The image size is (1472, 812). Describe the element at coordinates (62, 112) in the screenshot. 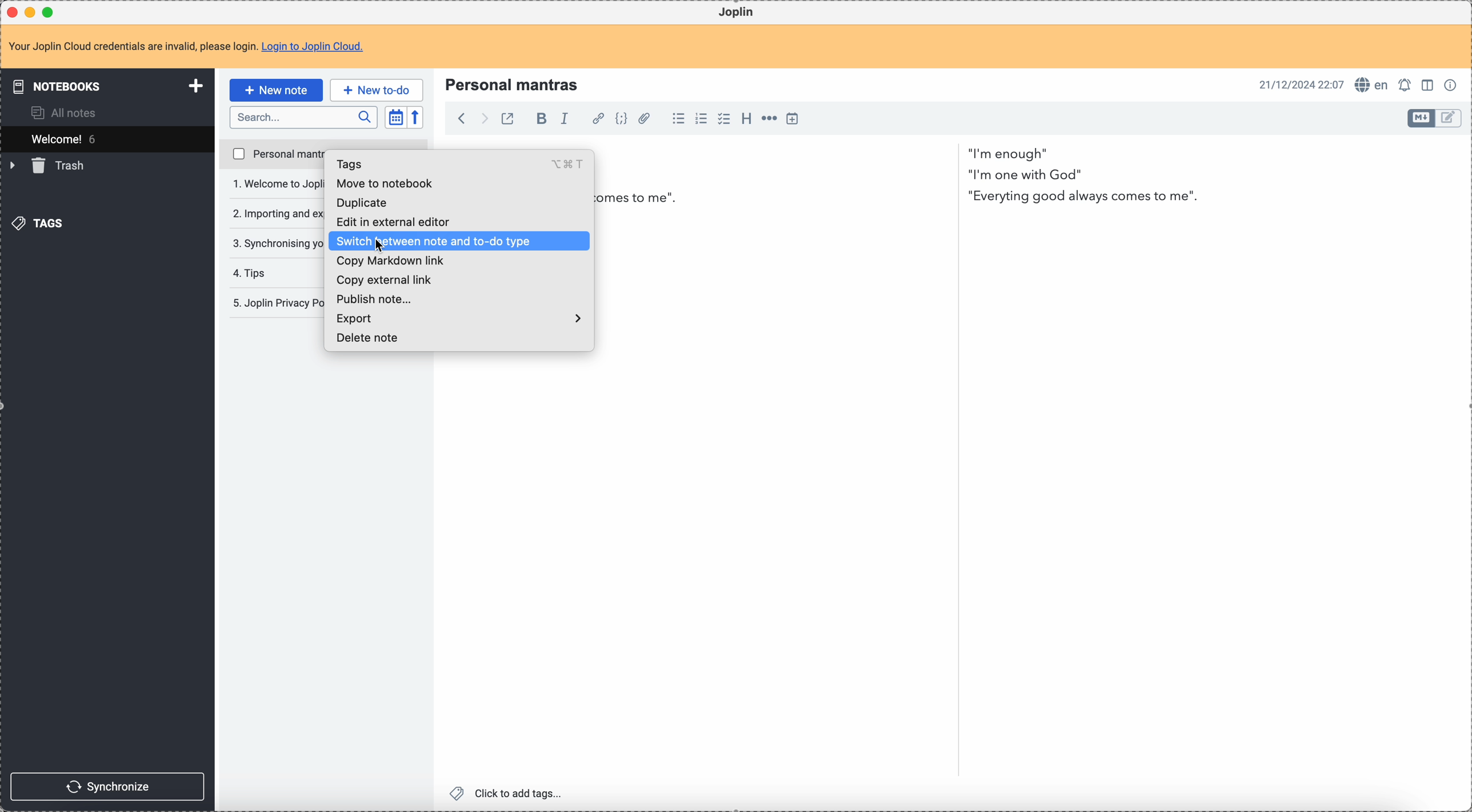

I see `all notes` at that location.